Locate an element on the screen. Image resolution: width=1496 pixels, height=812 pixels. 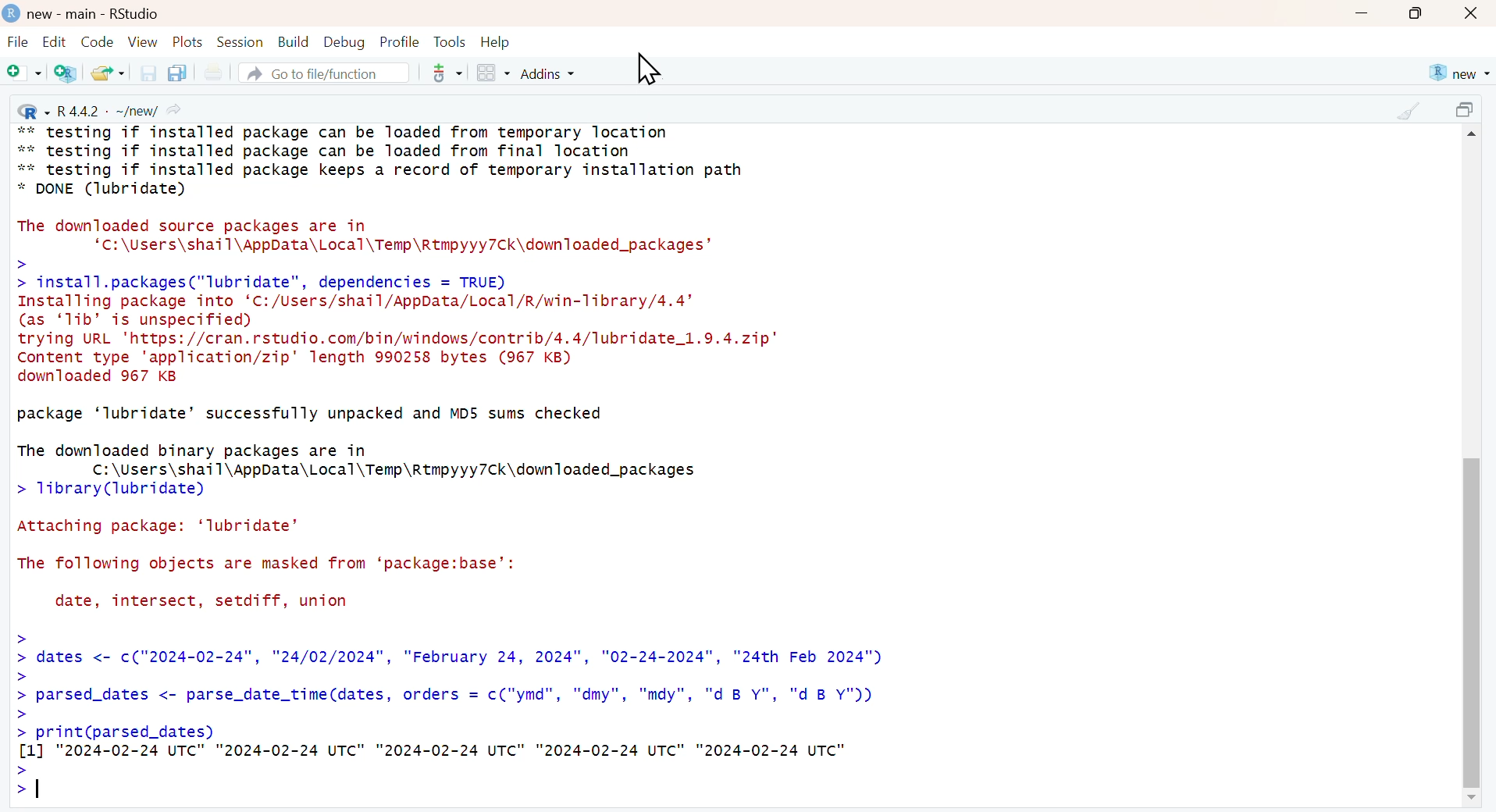
Session is located at coordinates (240, 41).